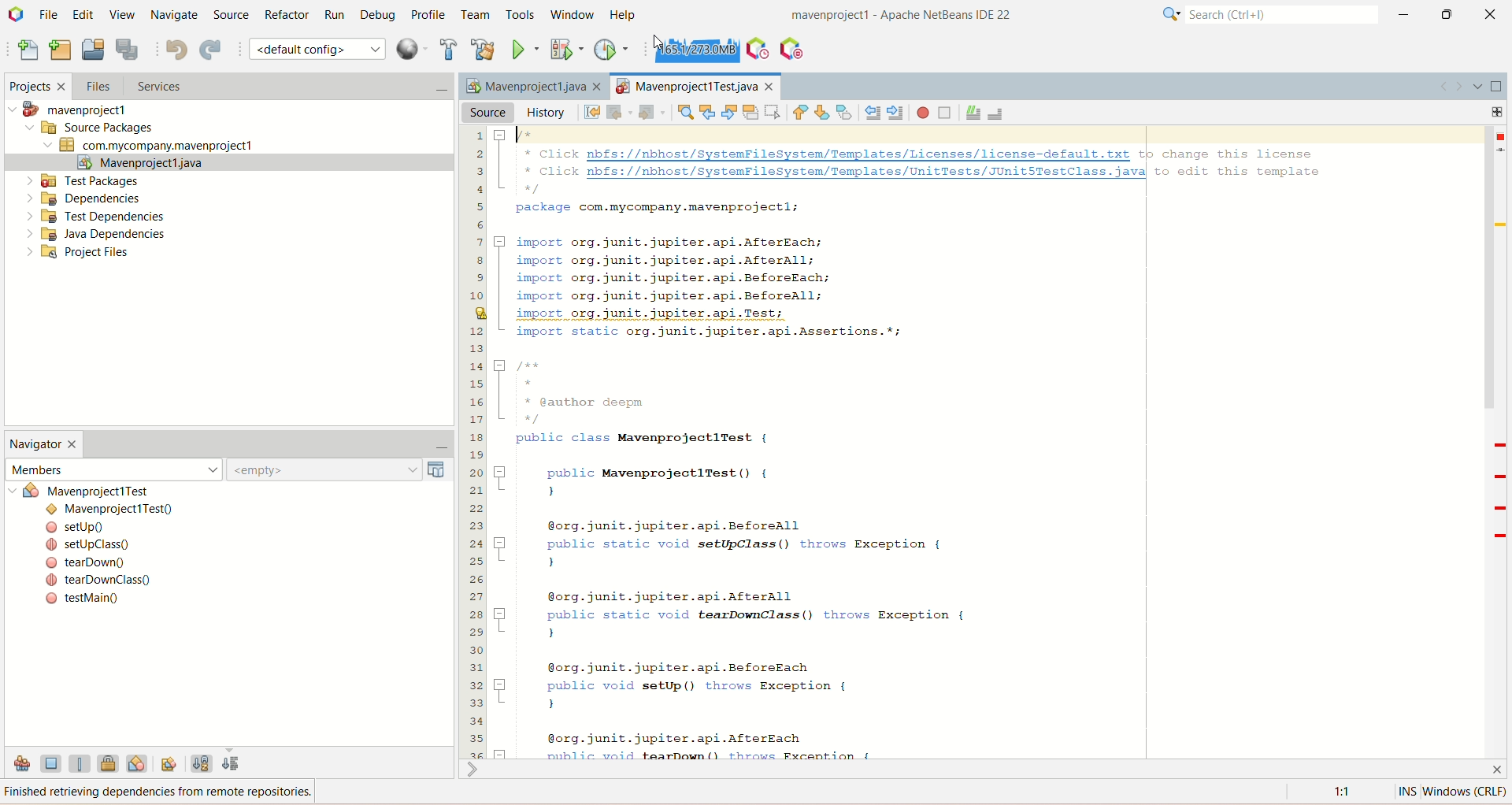 The height and width of the screenshot is (805, 1512). Describe the element at coordinates (1452, 793) in the screenshot. I see `INS window(crlf)` at that location.